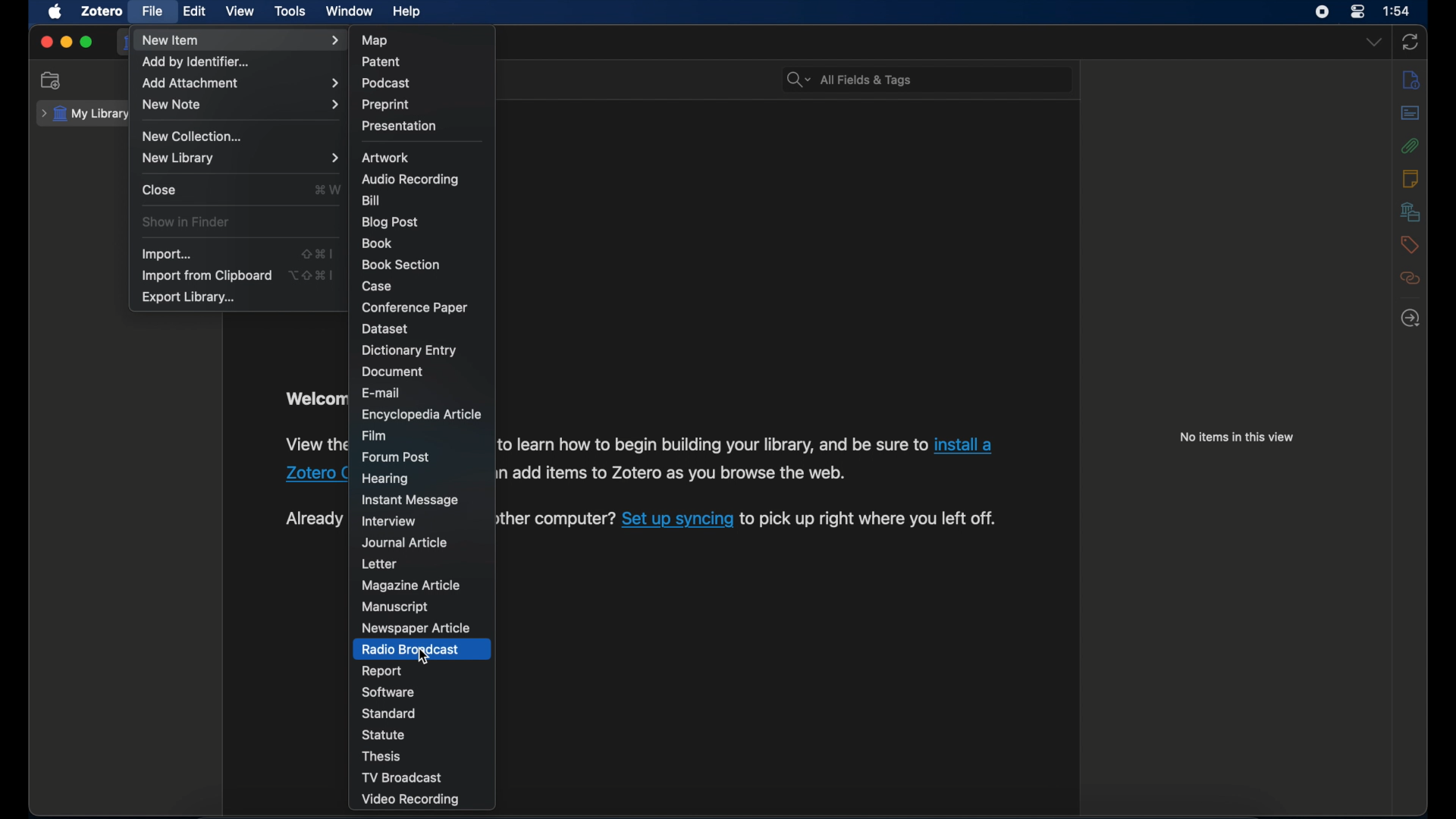 This screenshot has height=819, width=1456. I want to click on Welcom, so click(312, 398).